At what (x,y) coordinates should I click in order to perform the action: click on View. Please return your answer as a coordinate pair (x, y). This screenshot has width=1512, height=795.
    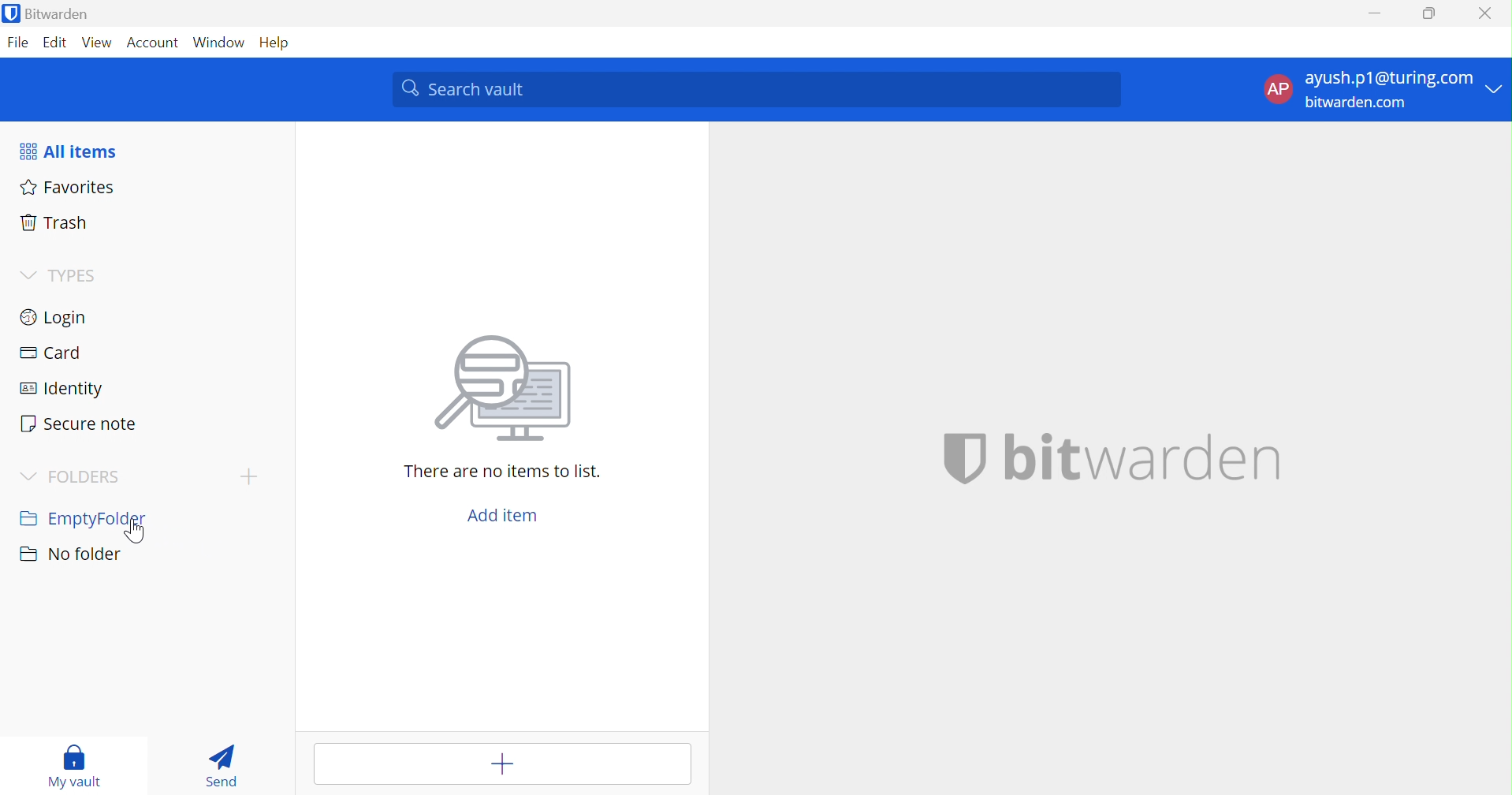
    Looking at the image, I should click on (97, 43).